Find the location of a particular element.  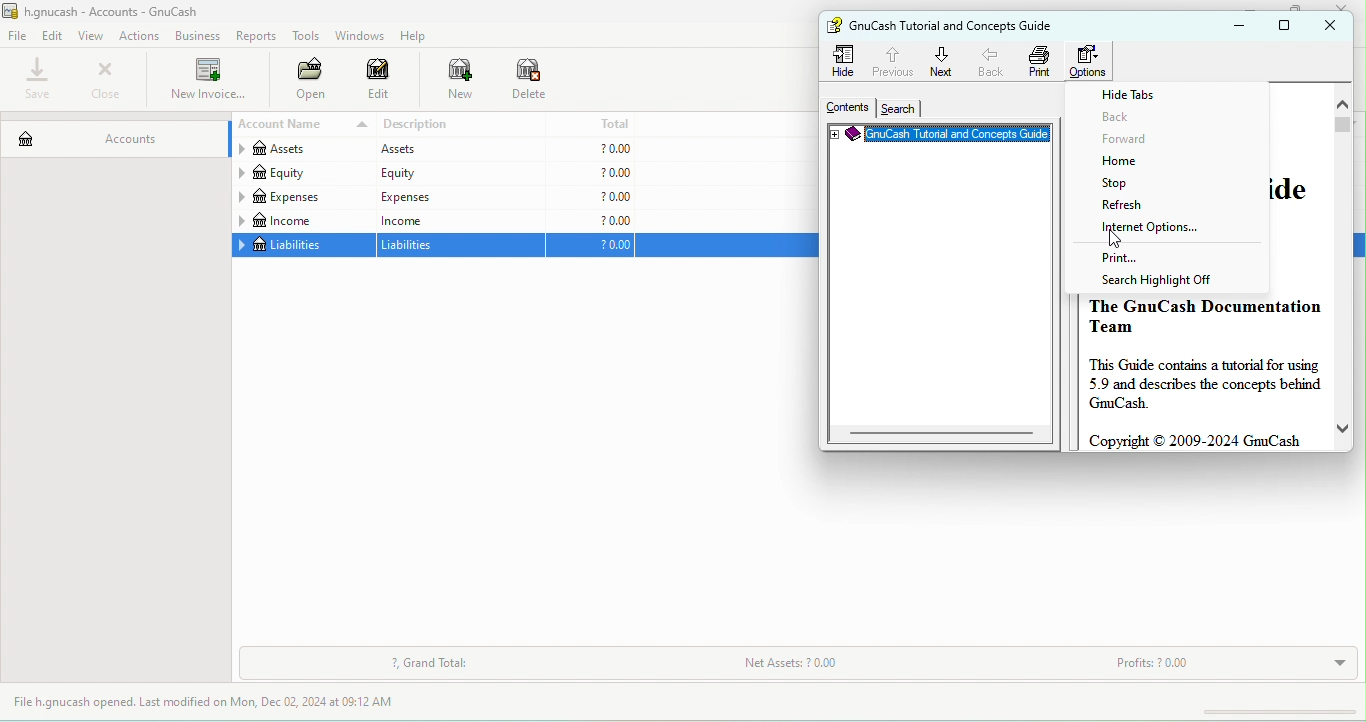

options is located at coordinates (1093, 61).